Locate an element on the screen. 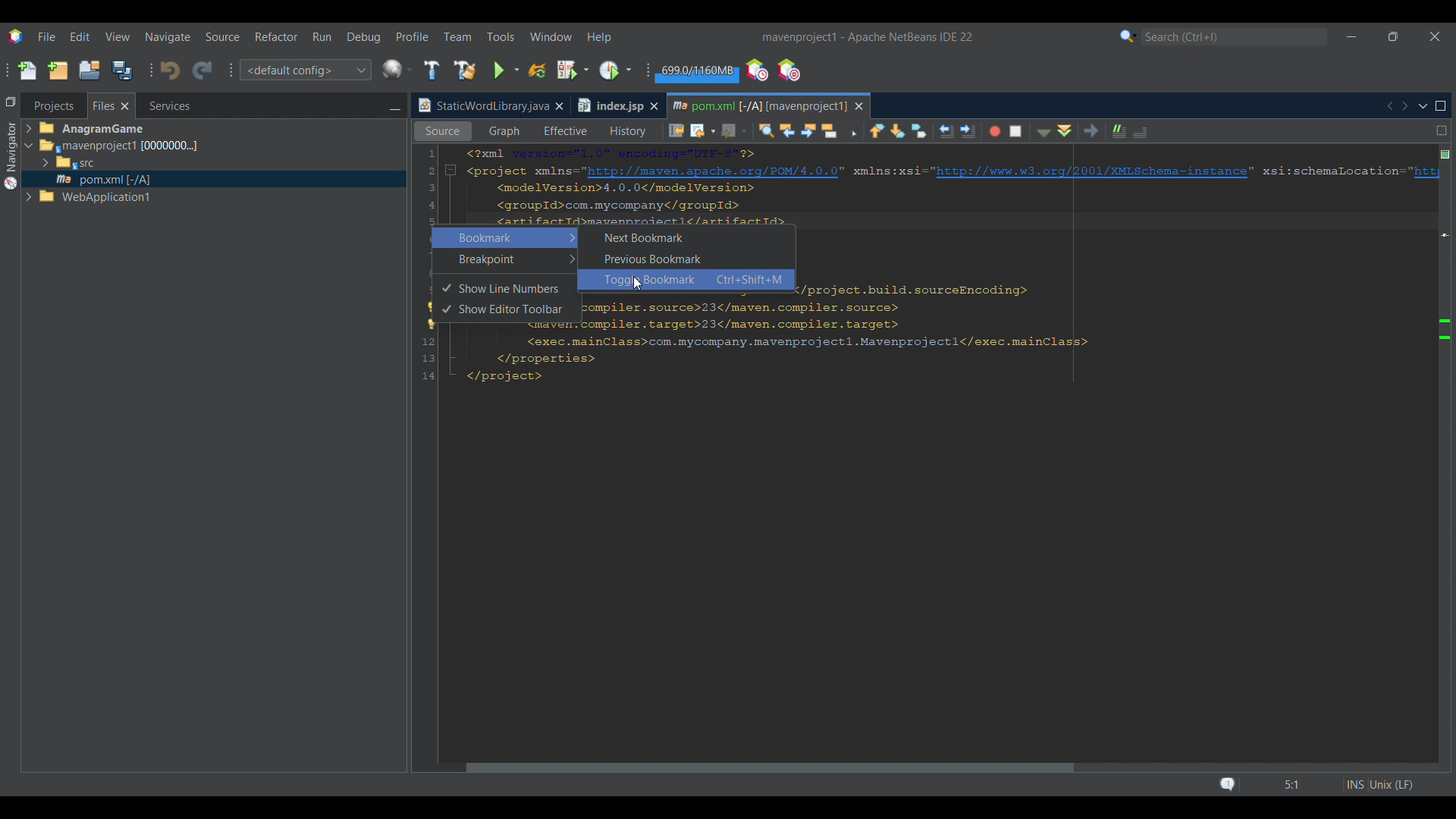 This screenshot has width=1456, height=819. Previous Bookmark is located at coordinates (686, 259).